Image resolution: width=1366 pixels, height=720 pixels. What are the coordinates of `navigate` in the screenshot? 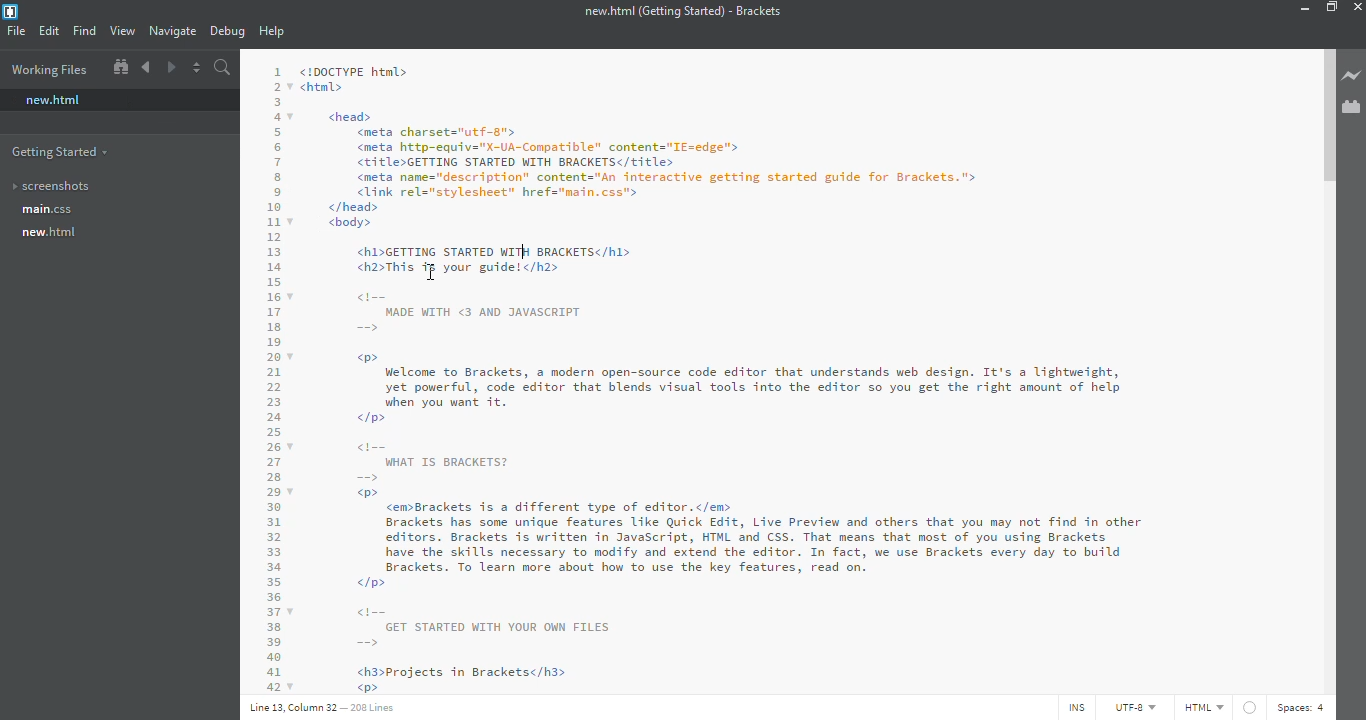 It's located at (174, 30).